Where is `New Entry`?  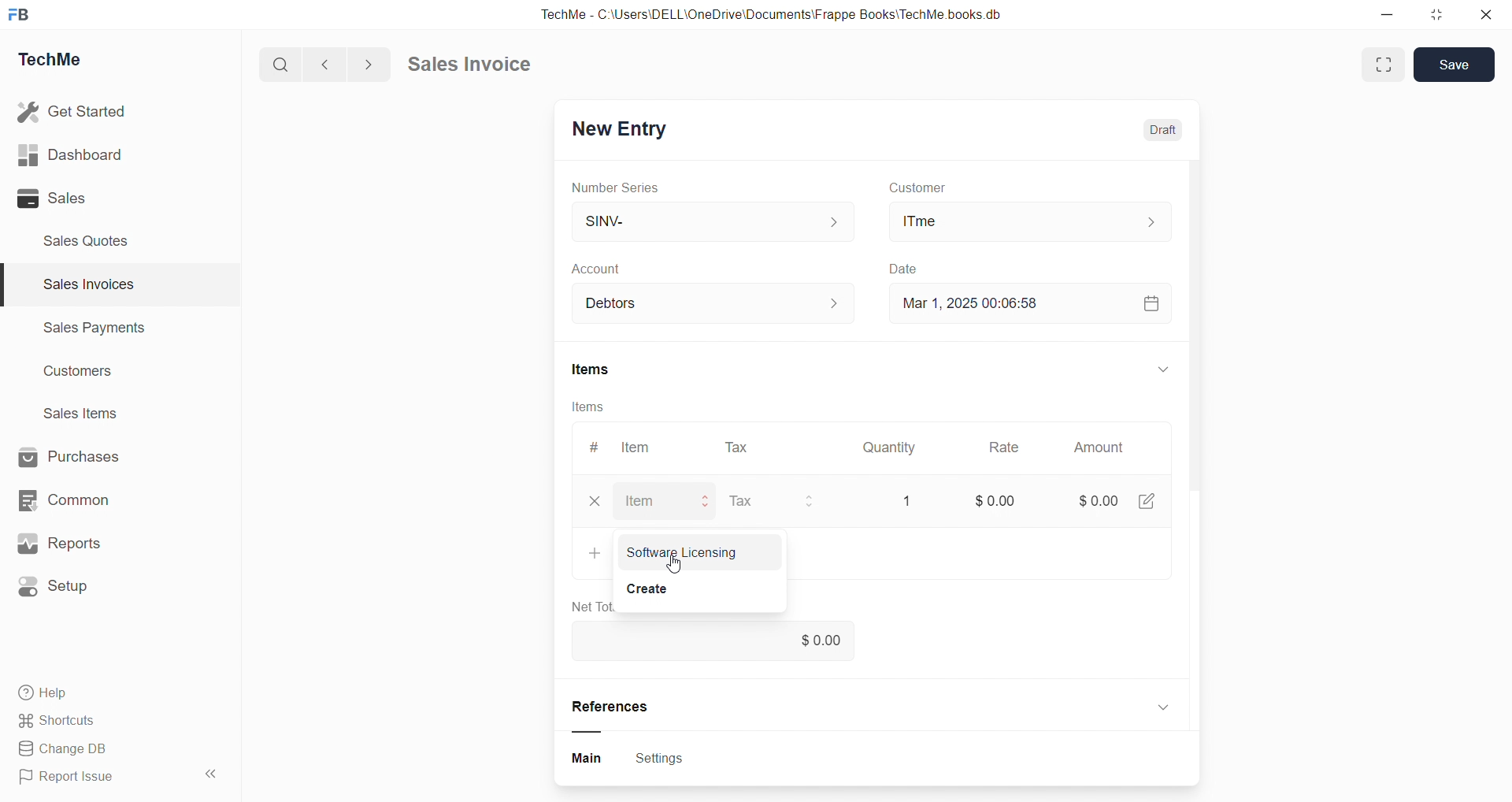 New Entry is located at coordinates (625, 126).